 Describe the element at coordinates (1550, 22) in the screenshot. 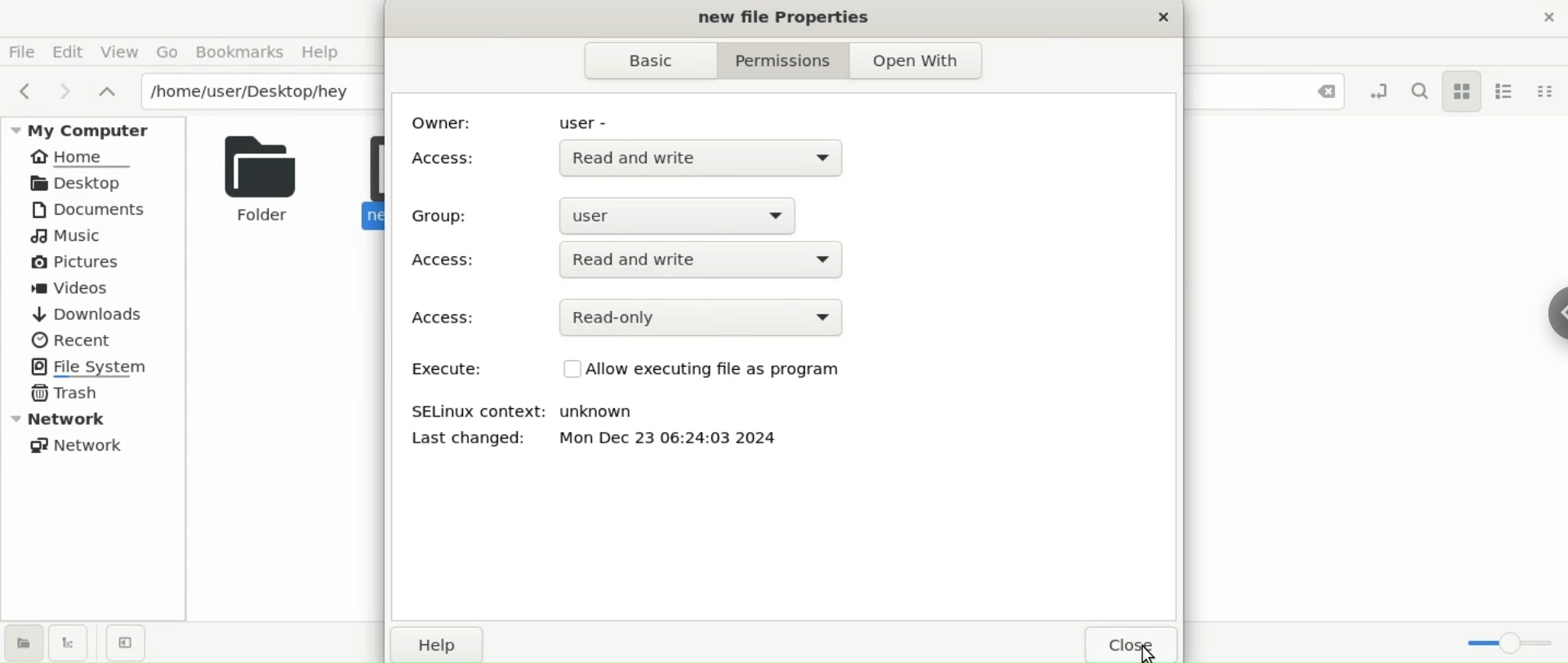

I see `close` at that location.